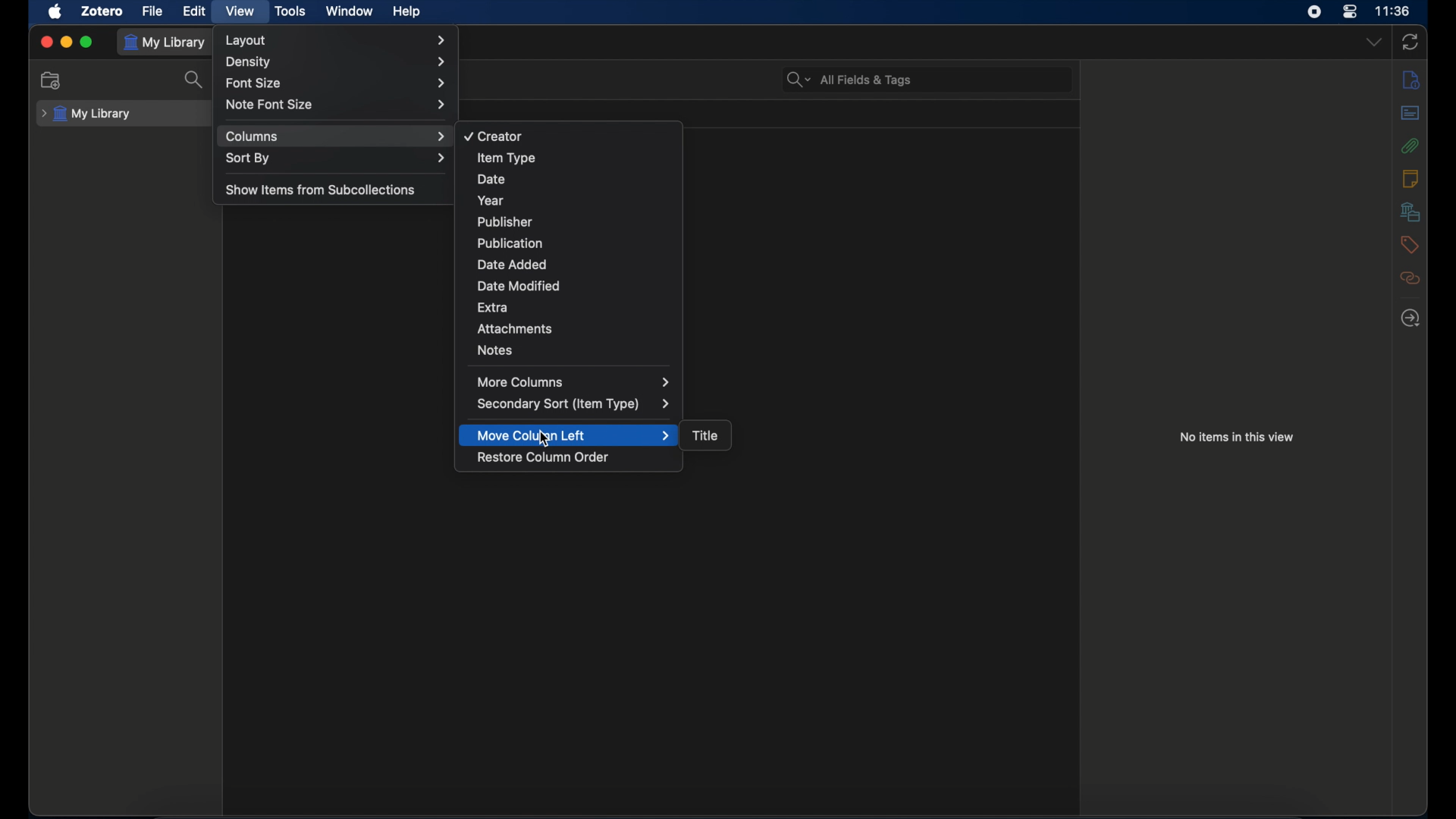  Describe the element at coordinates (575, 435) in the screenshot. I see `move column left` at that location.